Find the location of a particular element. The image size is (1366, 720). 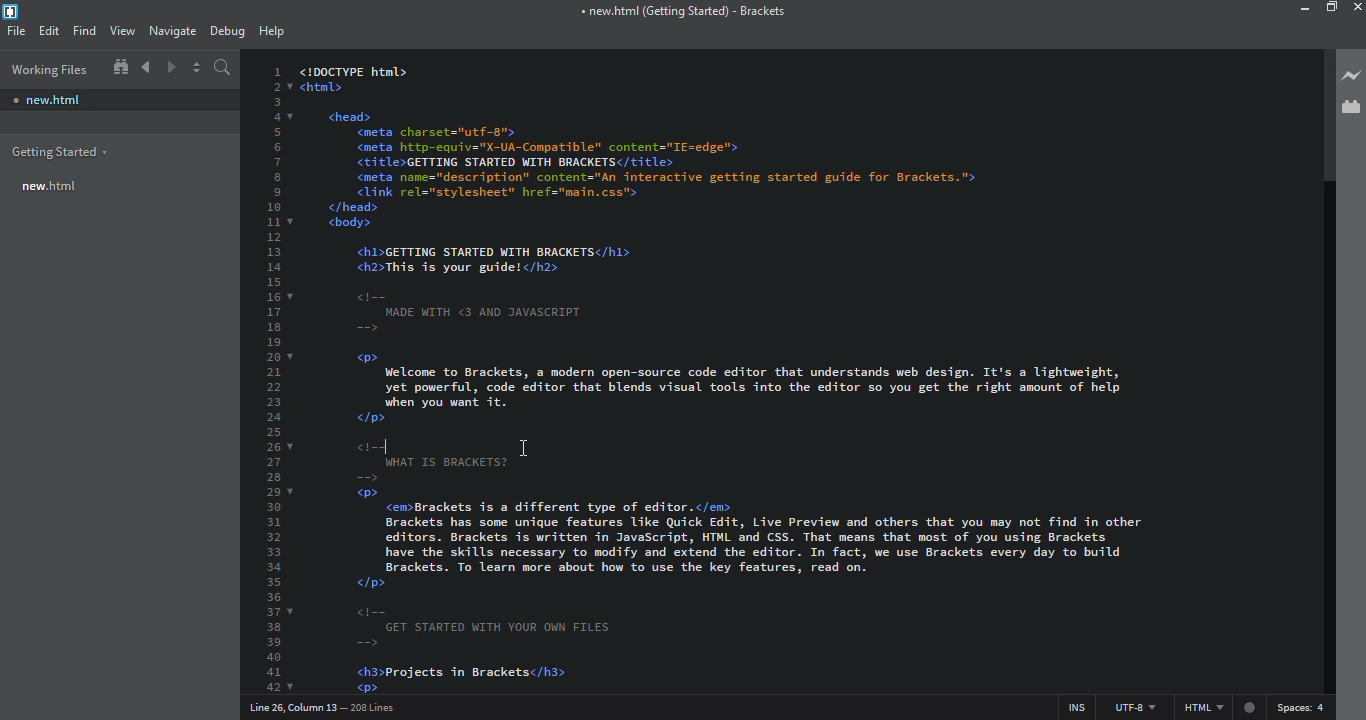

getting started is located at coordinates (58, 153).